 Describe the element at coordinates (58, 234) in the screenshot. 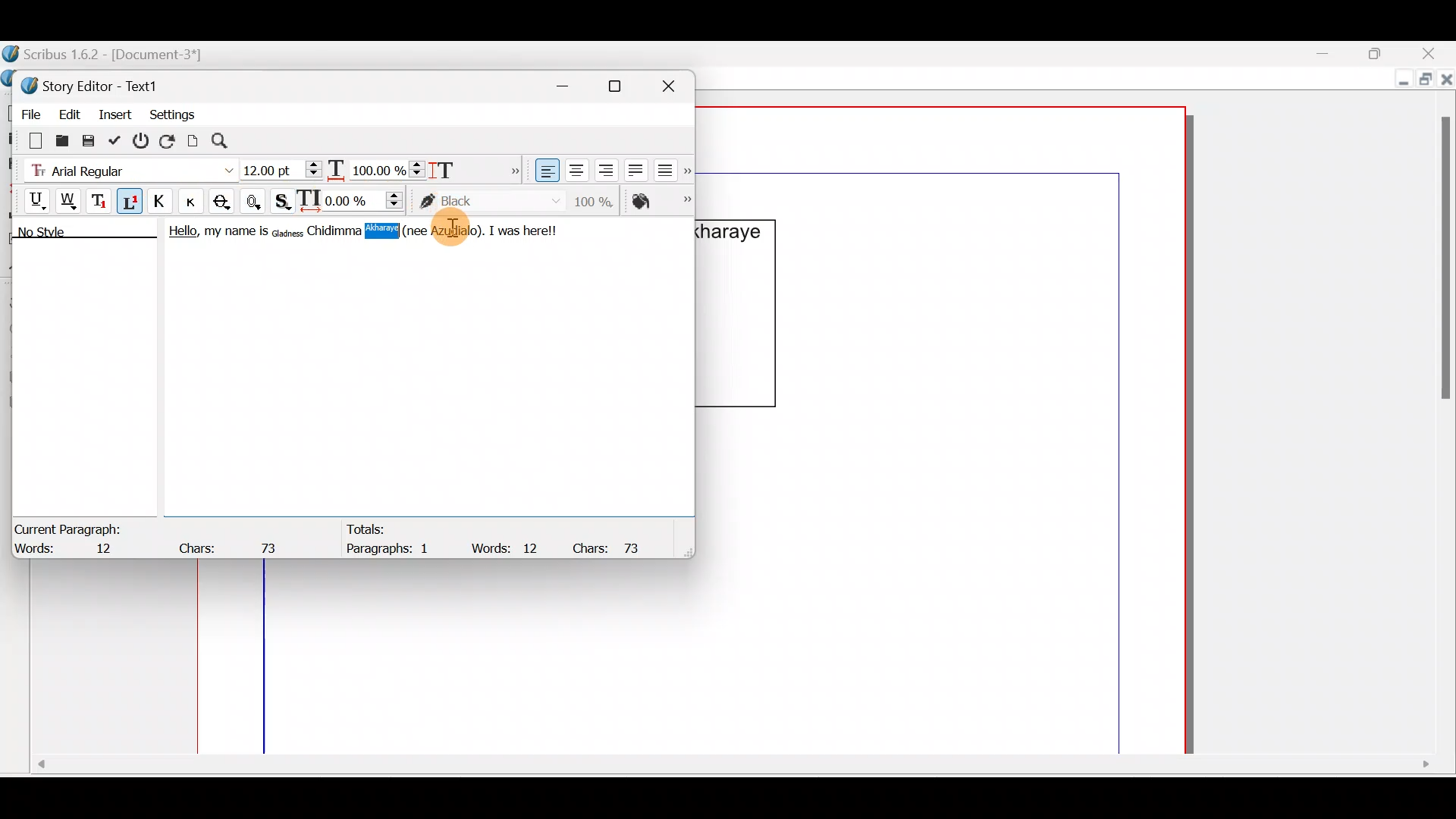

I see `No style` at that location.